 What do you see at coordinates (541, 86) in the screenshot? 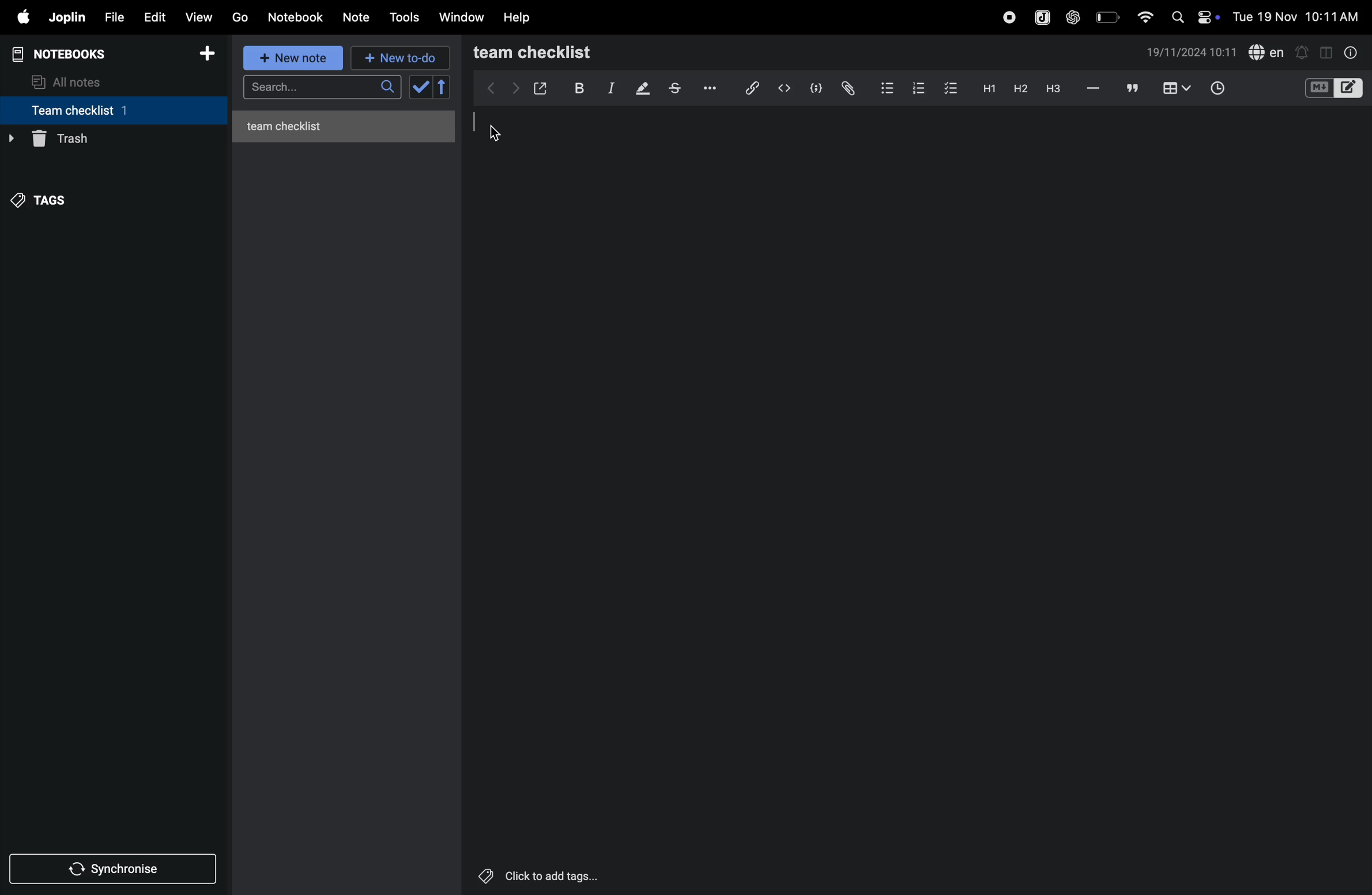
I see `open window` at bounding box center [541, 86].